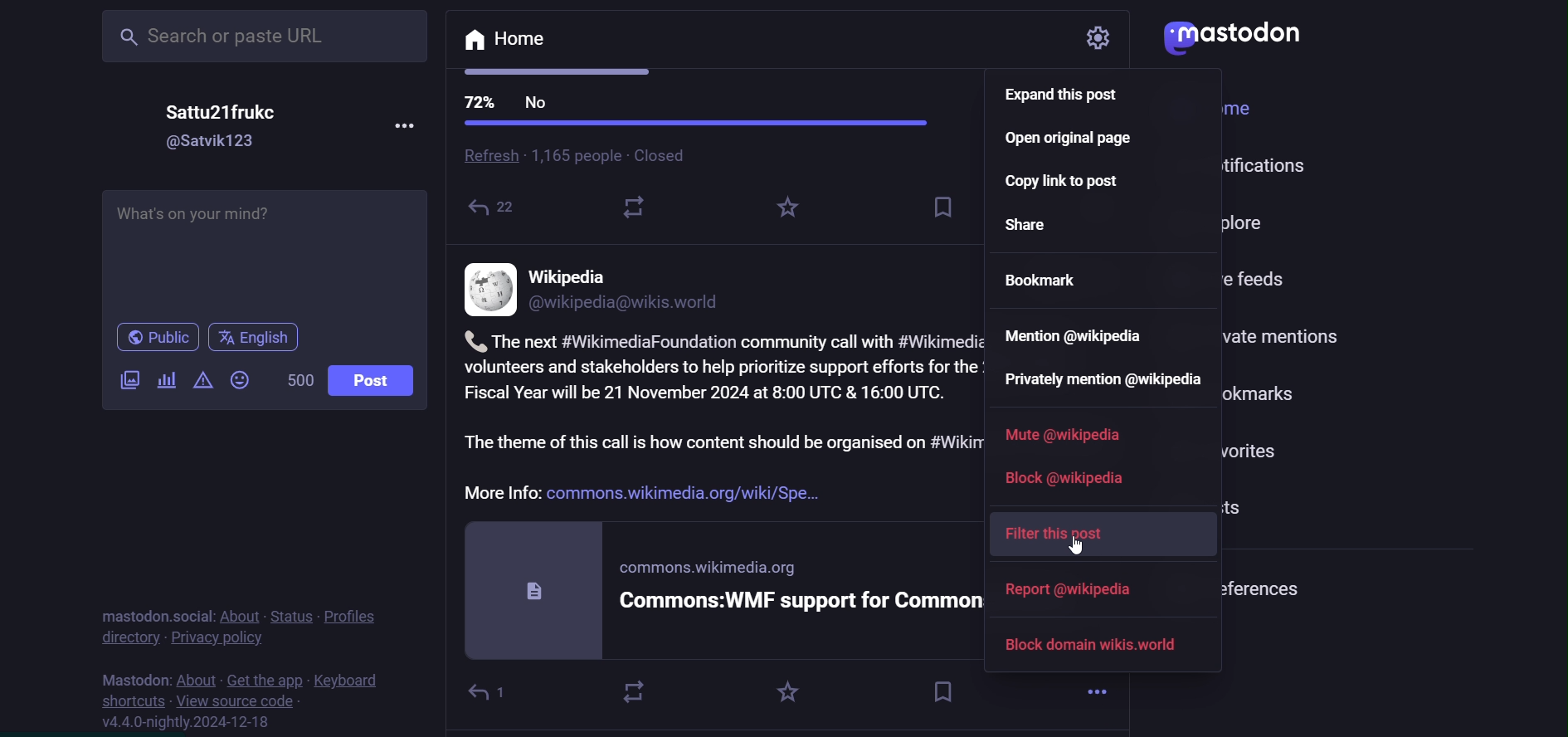 This screenshot has width=1568, height=737. I want to click on english, so click(254, 337).